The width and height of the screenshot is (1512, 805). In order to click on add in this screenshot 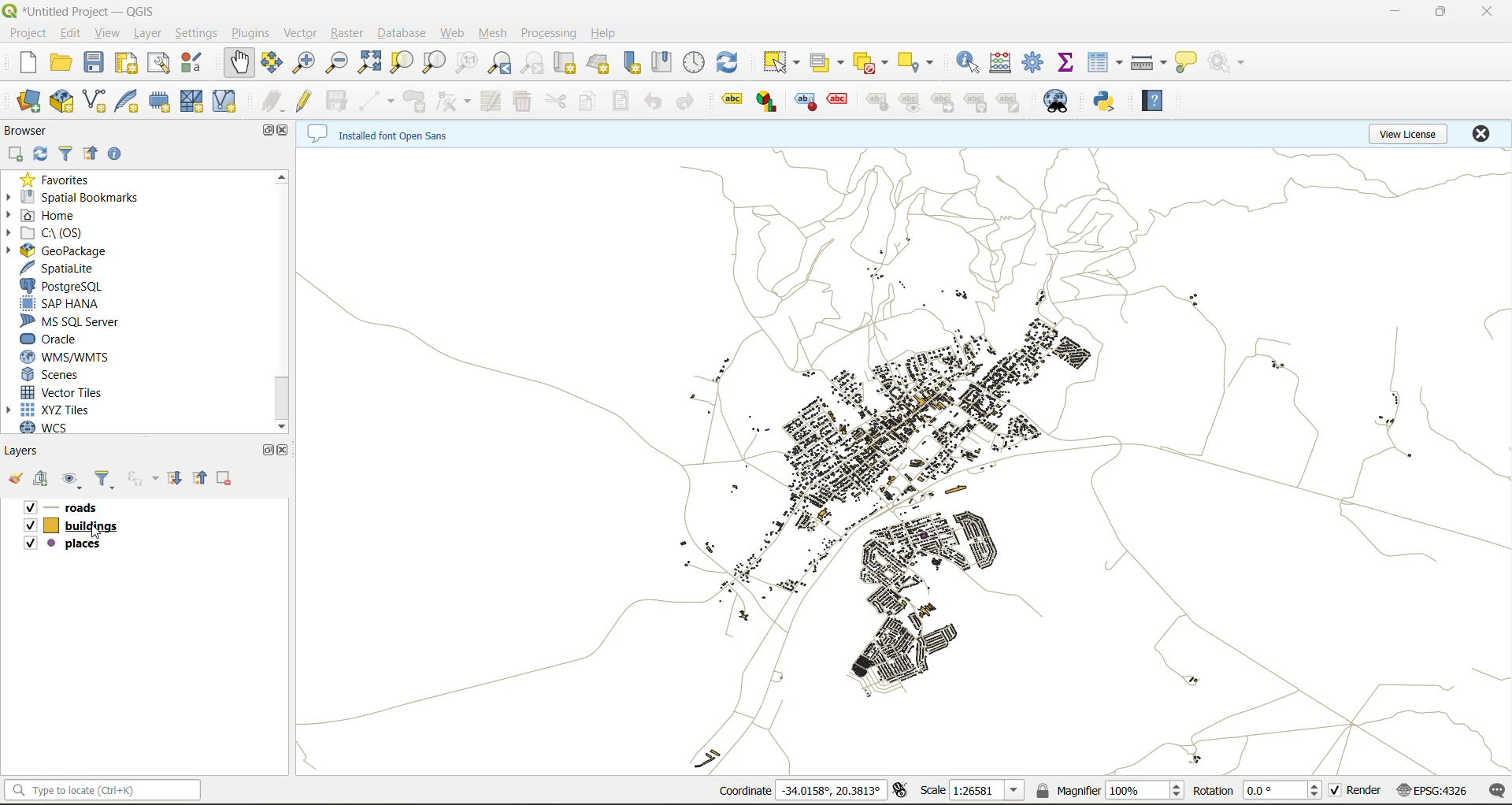, I will do `click(13, 154)`.